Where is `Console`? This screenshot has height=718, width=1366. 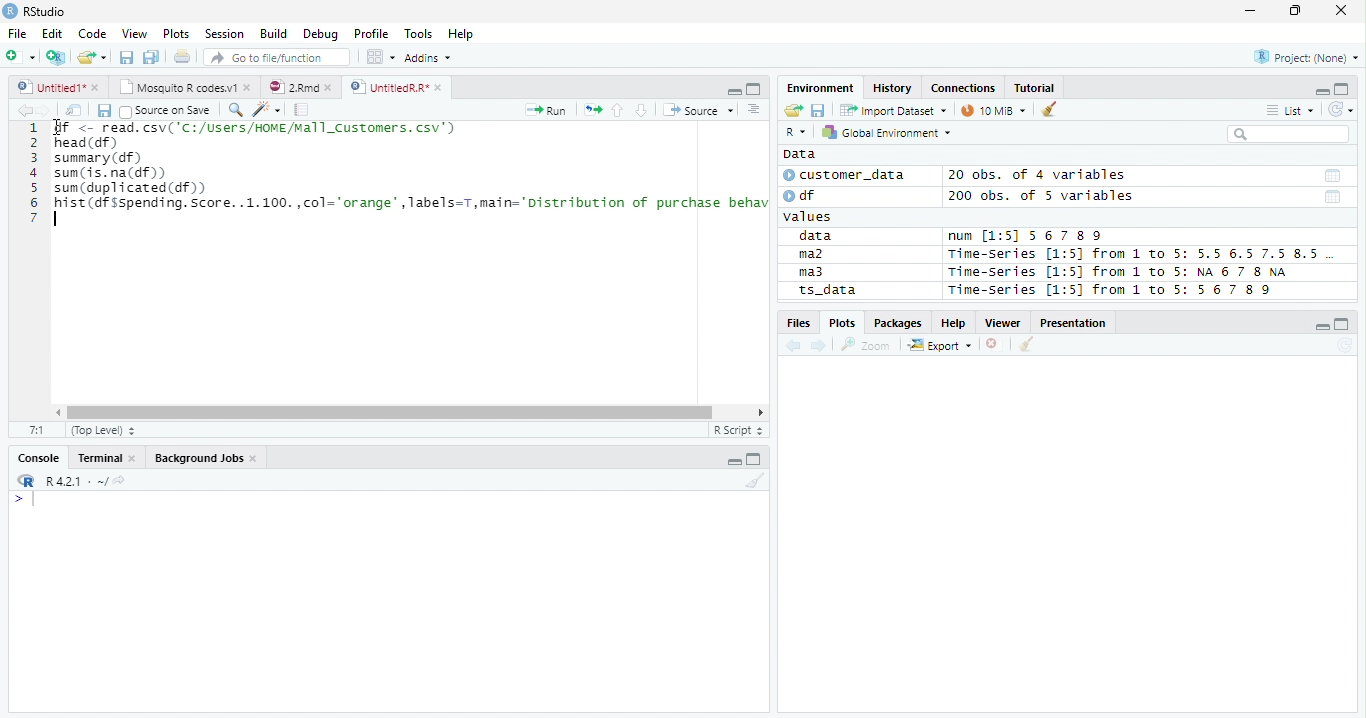
Console is located at coordinates (39, 456).